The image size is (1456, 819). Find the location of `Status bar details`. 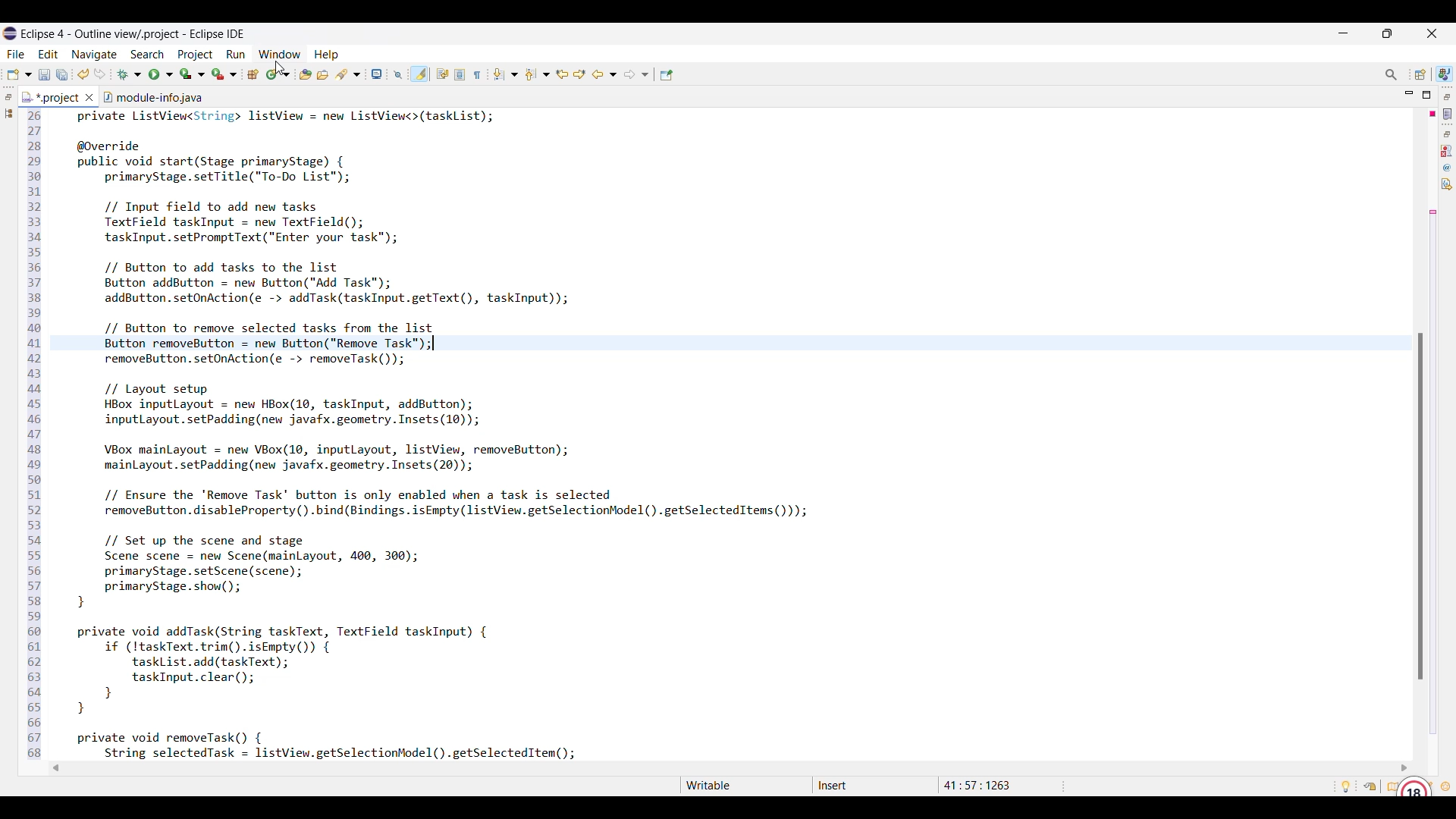

Status bar details is located at coordinates (864, 786).